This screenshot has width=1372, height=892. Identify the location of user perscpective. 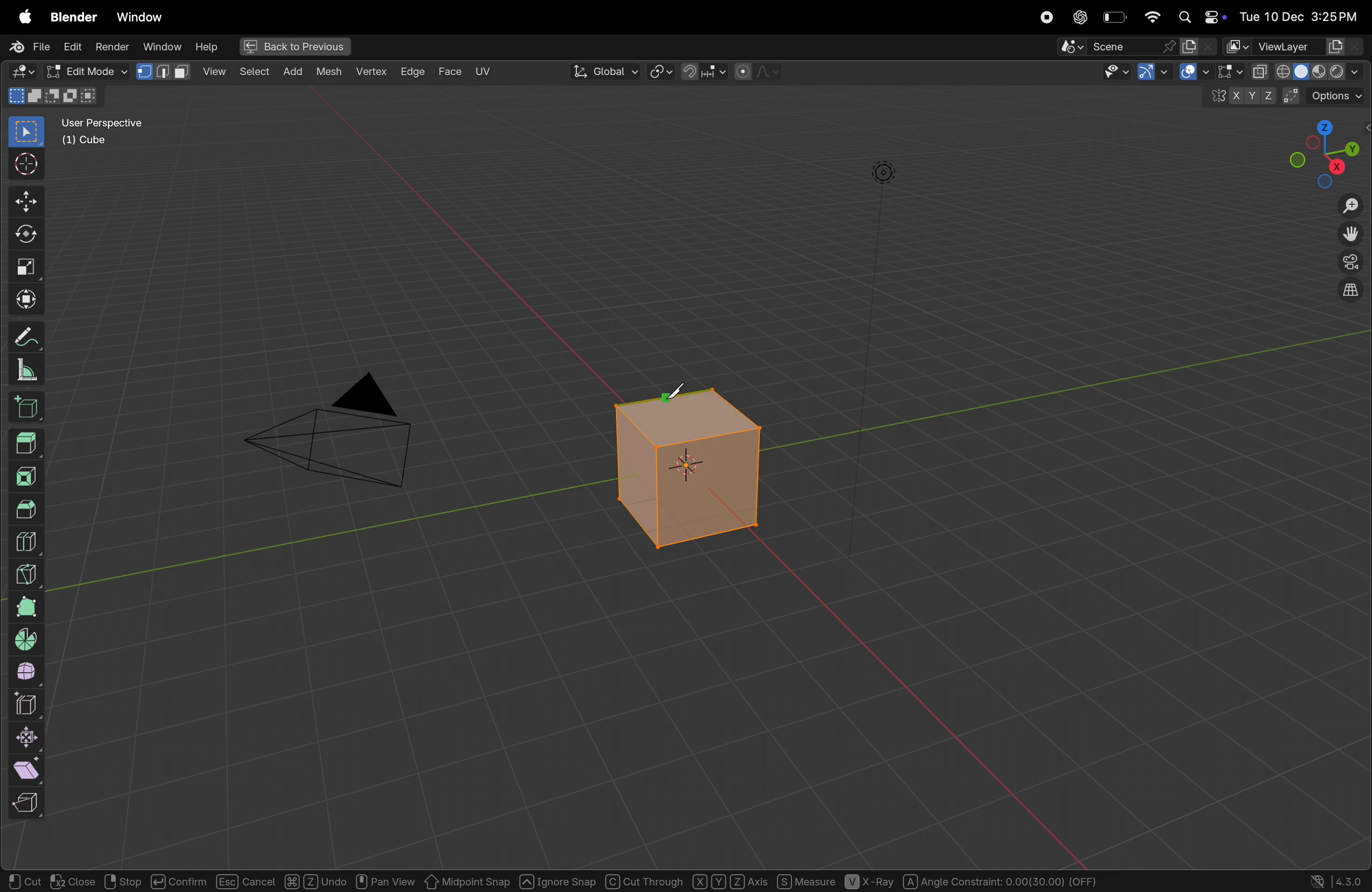
(110, 131).